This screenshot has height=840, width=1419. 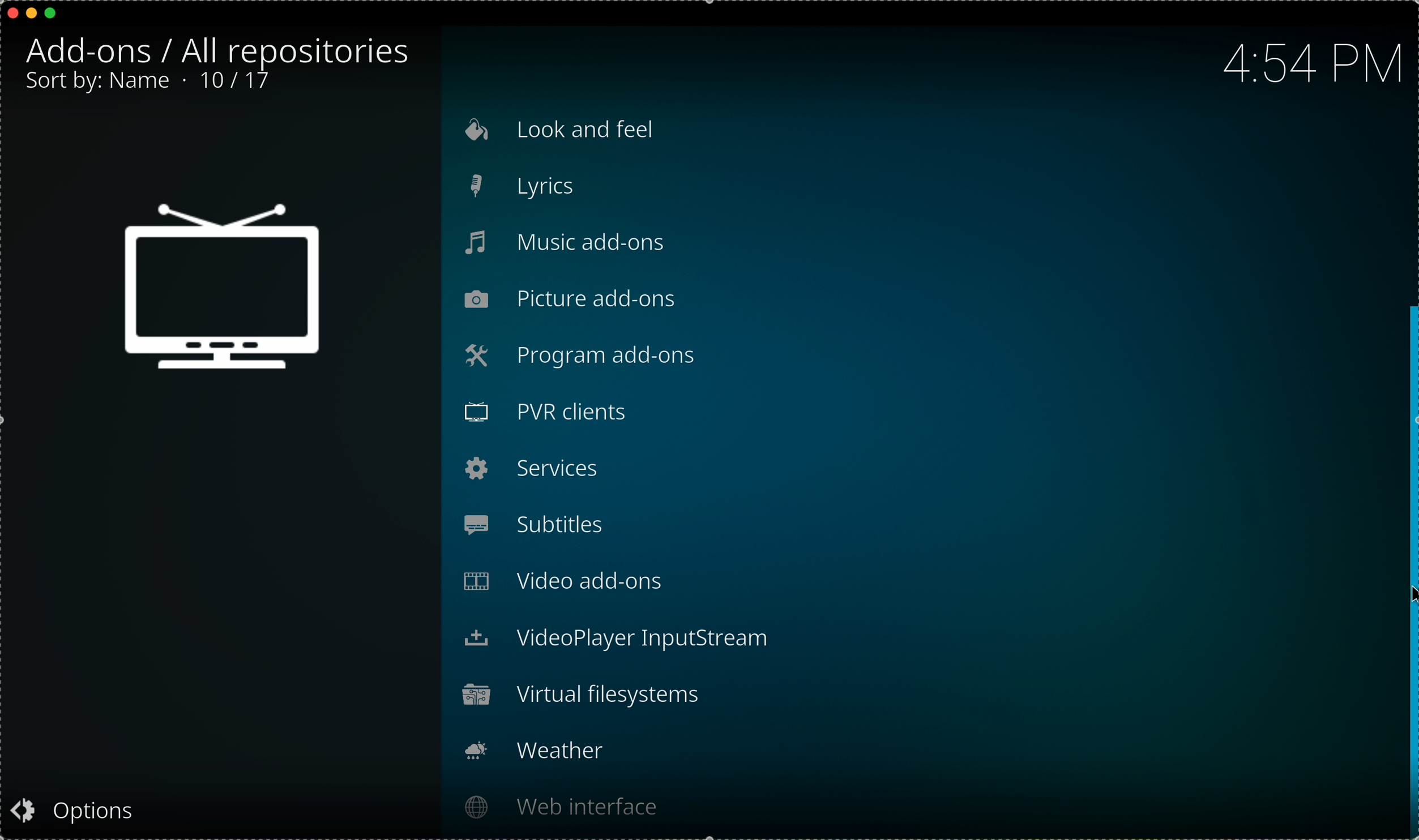 What do you see at coordinates (1310, 61) in the screenshot?
I see `hour` at bounding box center [1310, 61].